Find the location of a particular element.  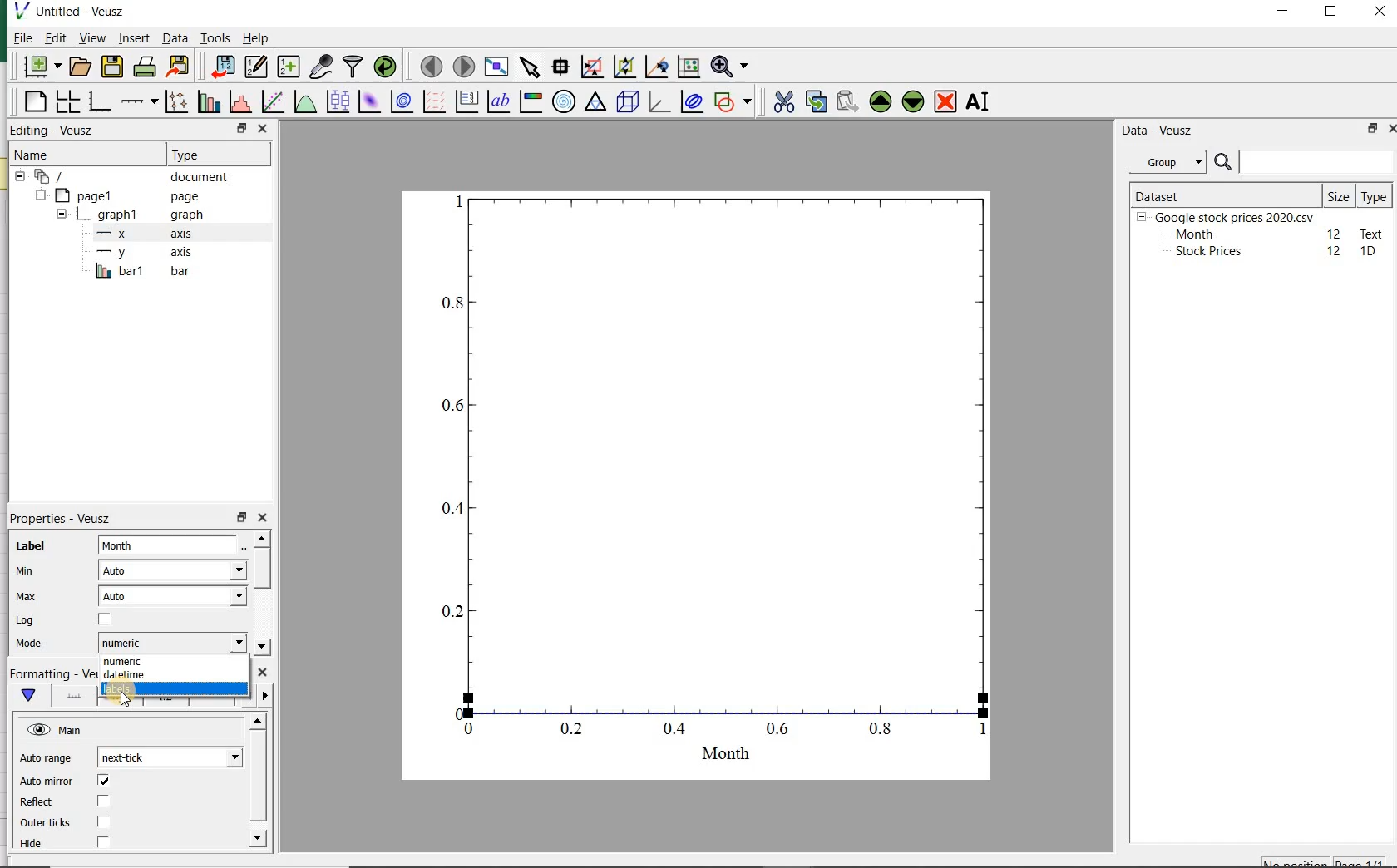

capture remote data is located at coordinates (321, 67).